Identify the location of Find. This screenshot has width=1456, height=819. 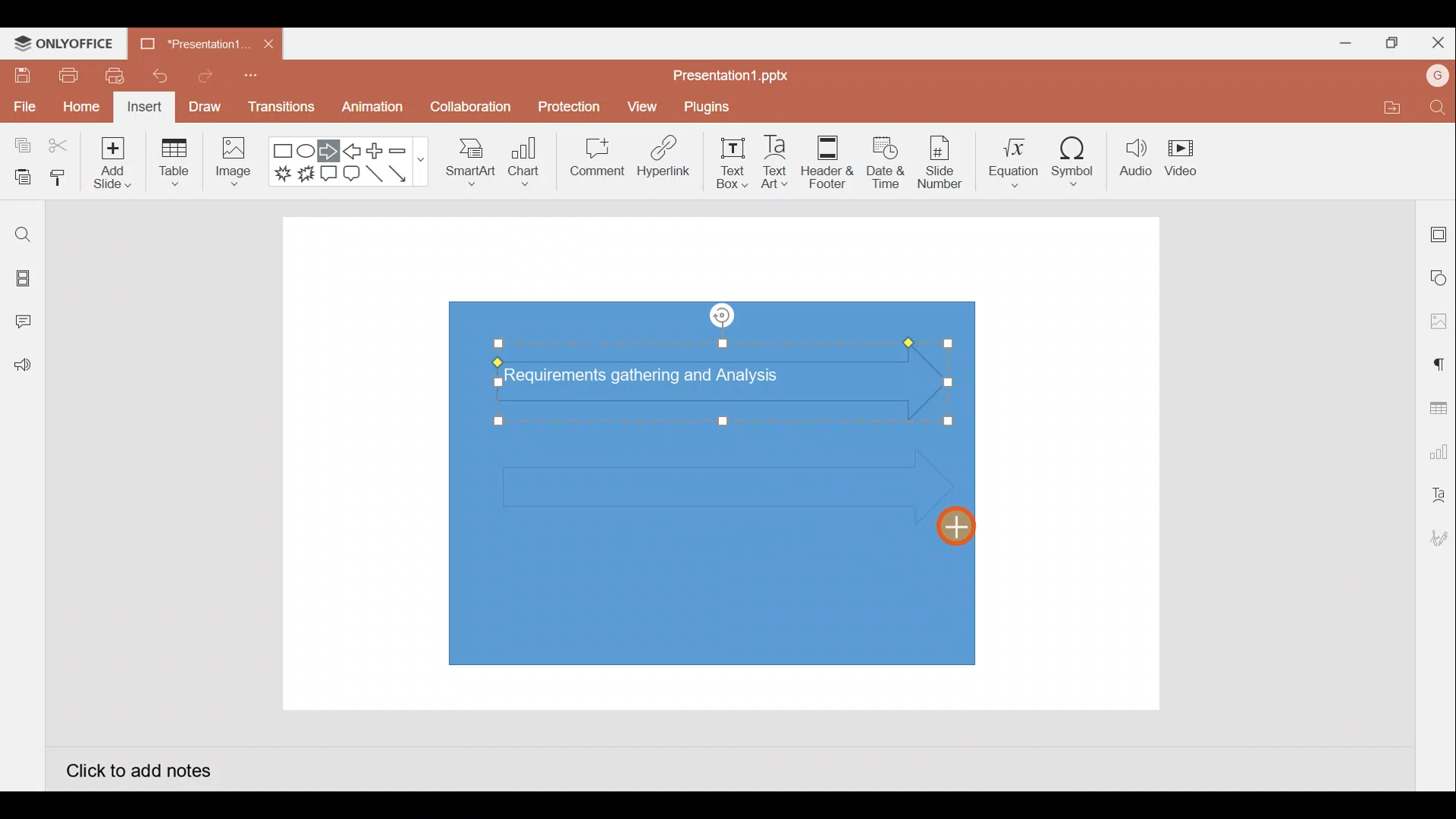
(1439, 107).